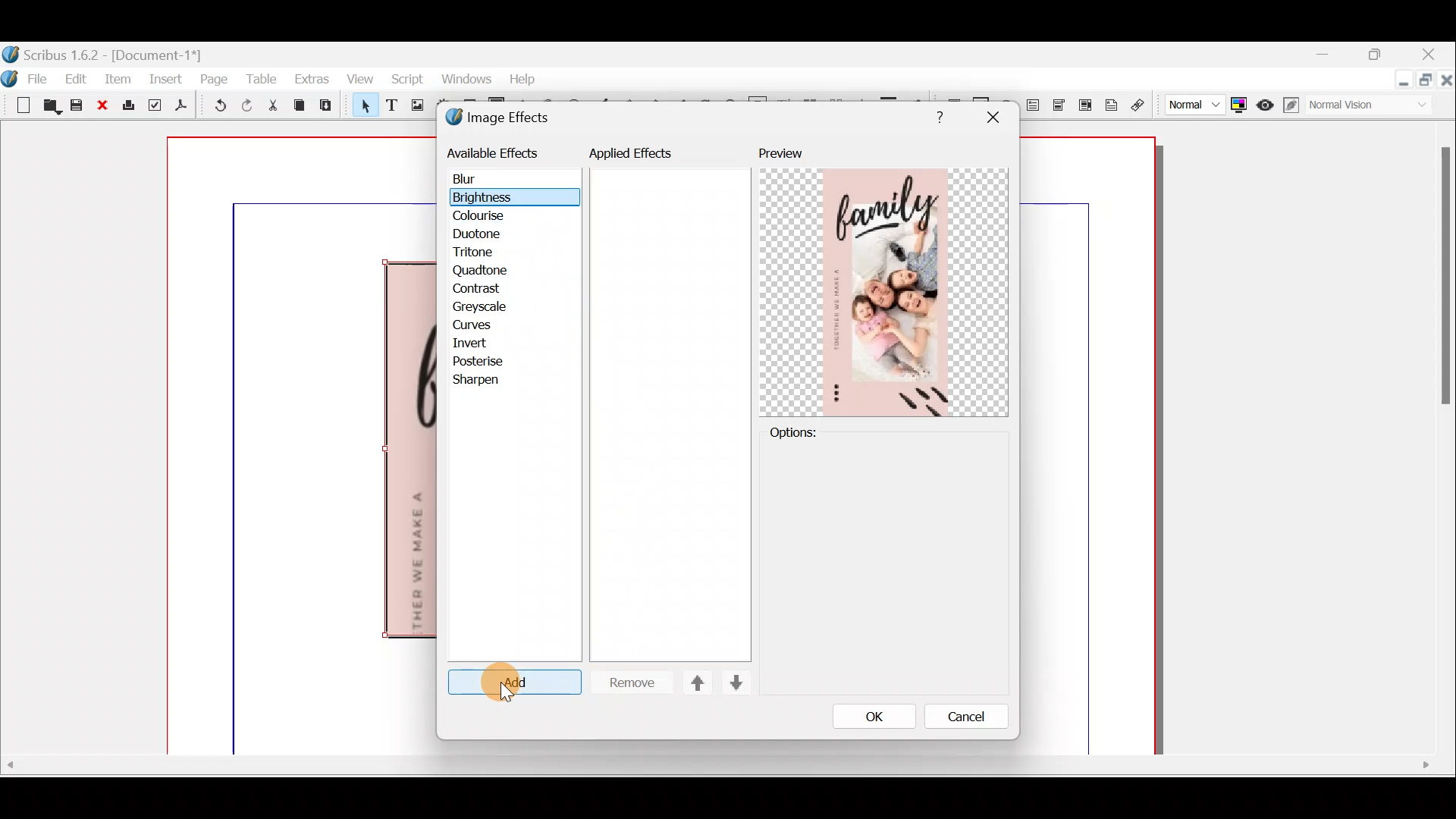  Describe the element at coordinates (1430, 56) in the screenshot. I see `Close` at that location.